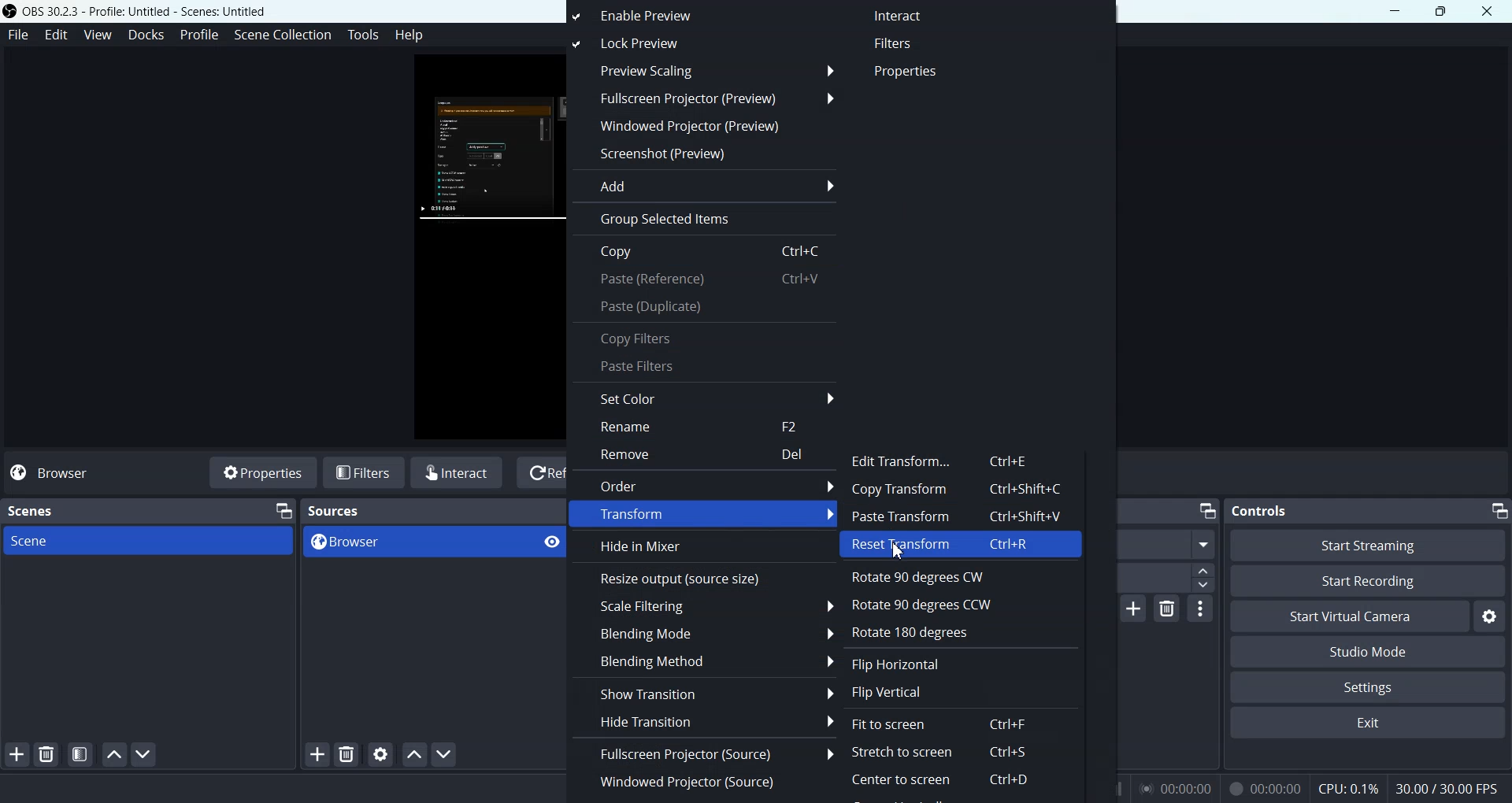 The height and width of the screenshot is (803, 1512). Describe the element at coordinates (1368, 686) in the screenshot. I see `Settings` at that location.